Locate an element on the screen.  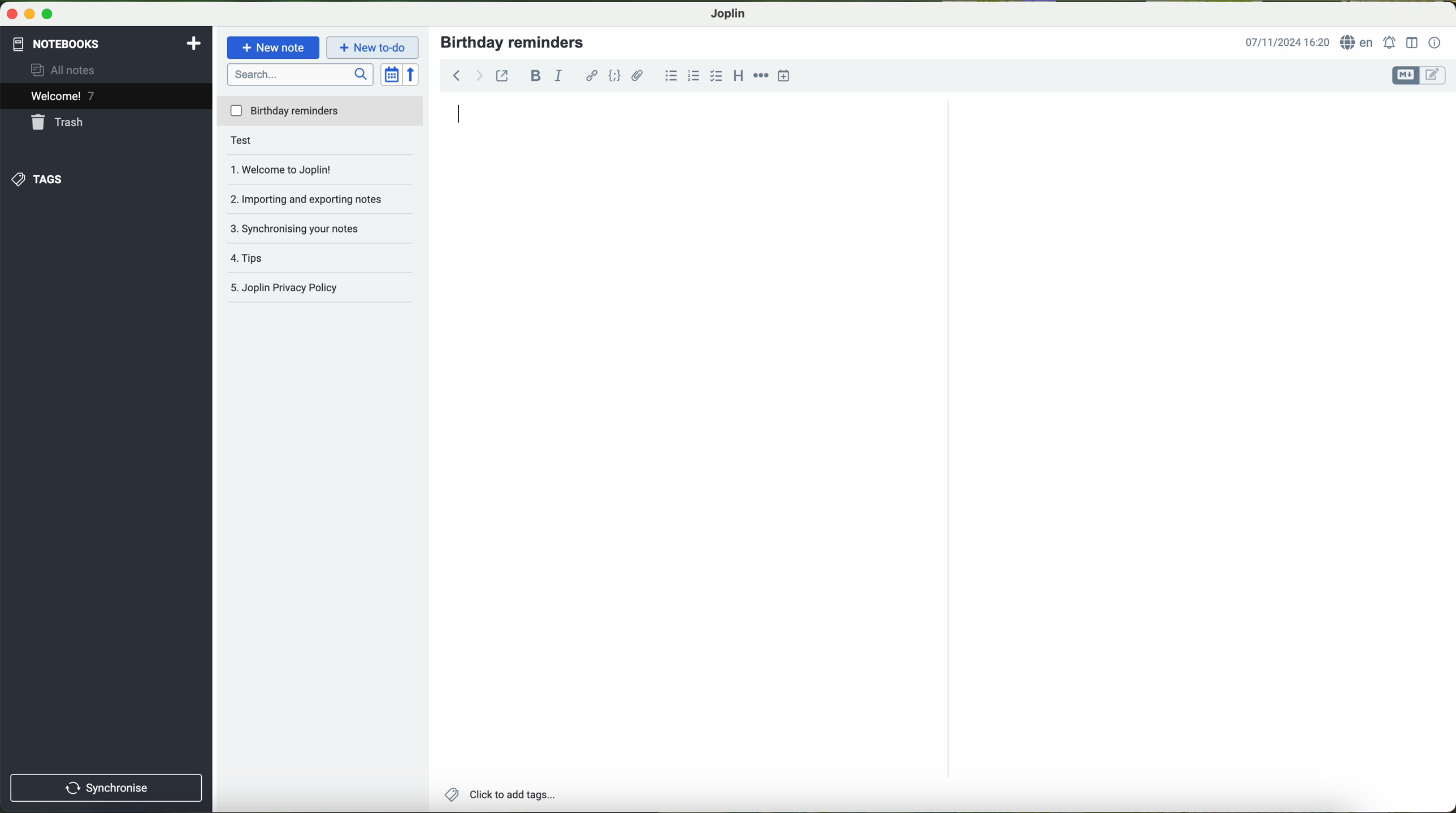
screen buttons is located at coordinates (33, 13).